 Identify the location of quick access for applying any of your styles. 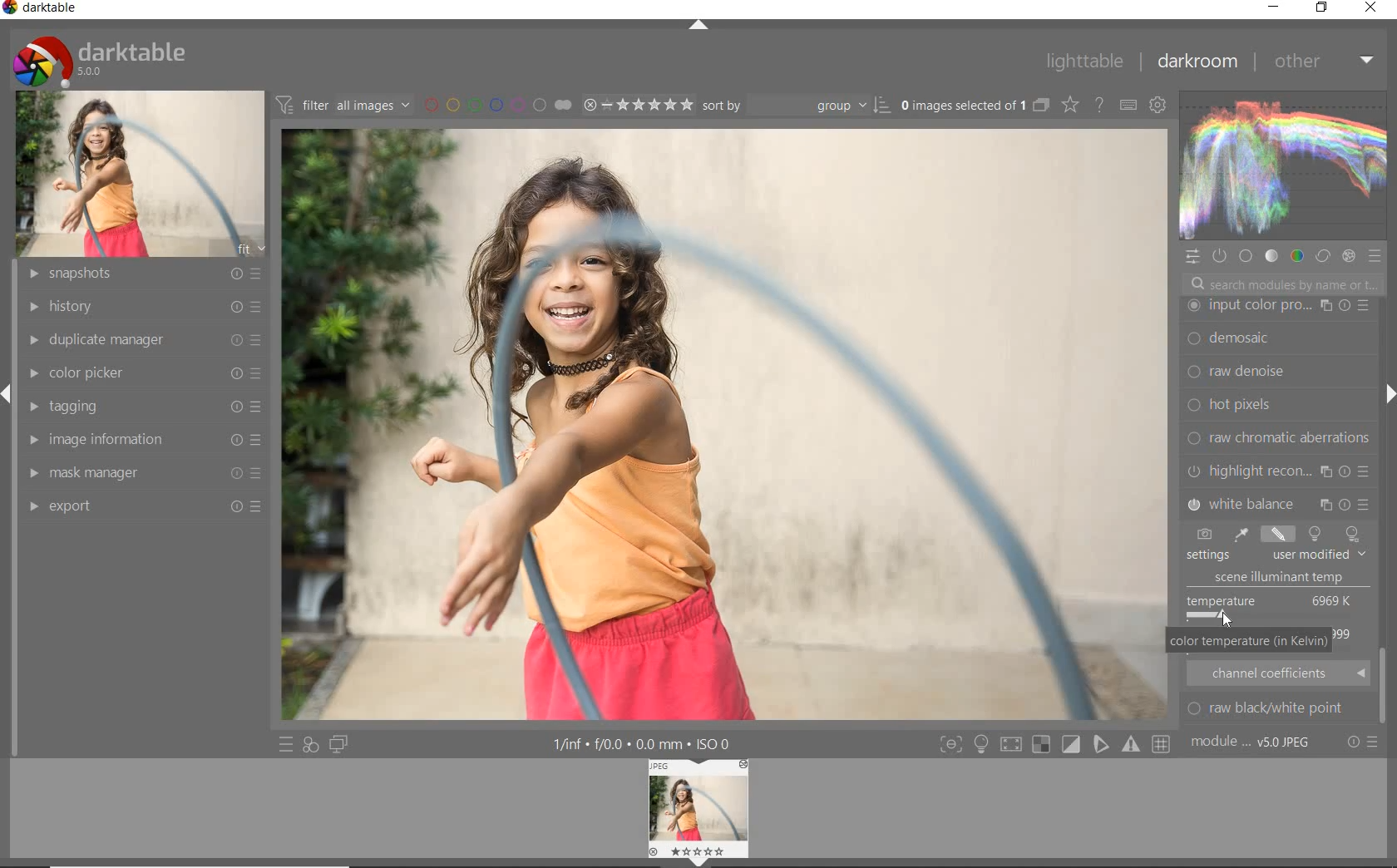
(310, 746).